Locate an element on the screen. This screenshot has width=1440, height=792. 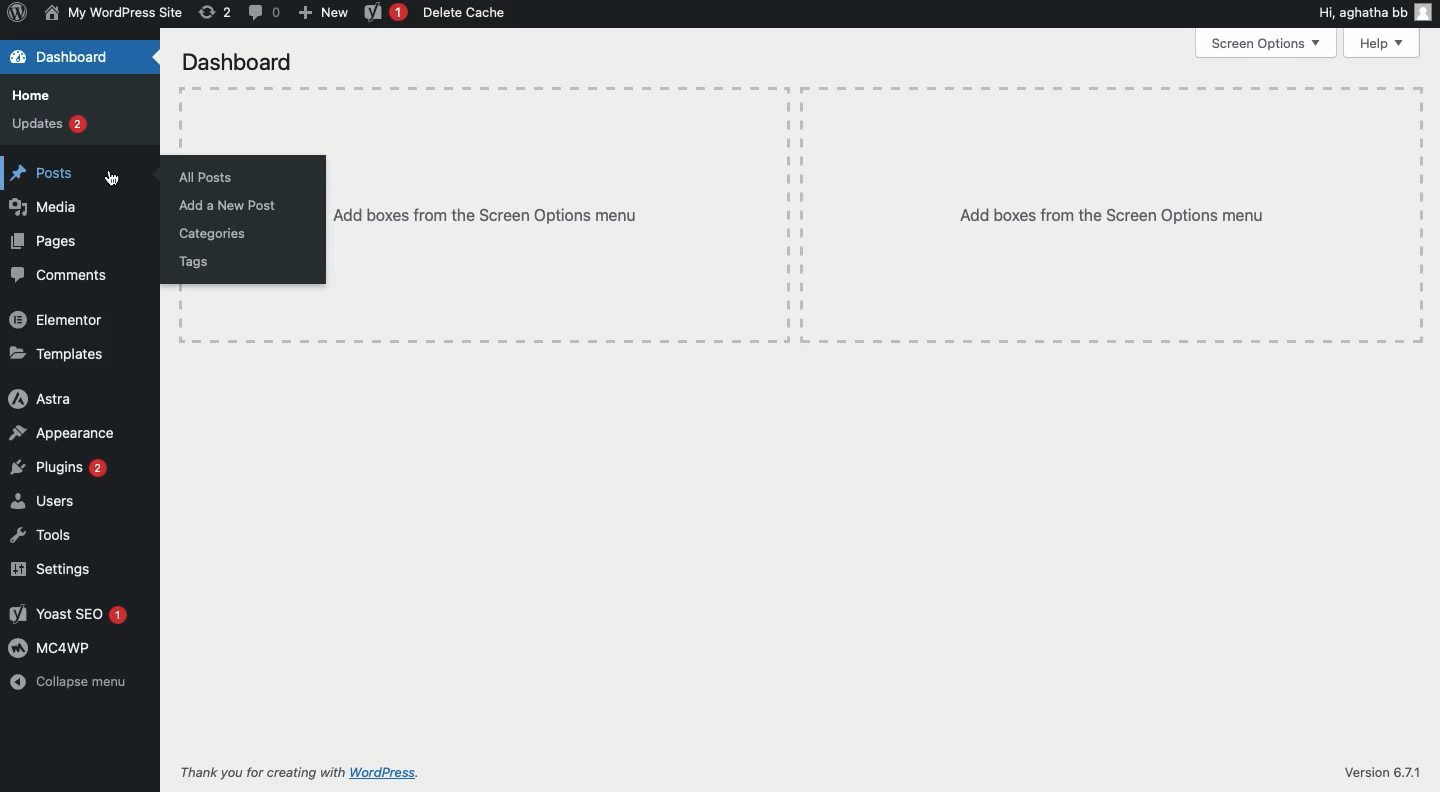
All posts is located at coordinates (204, 177).